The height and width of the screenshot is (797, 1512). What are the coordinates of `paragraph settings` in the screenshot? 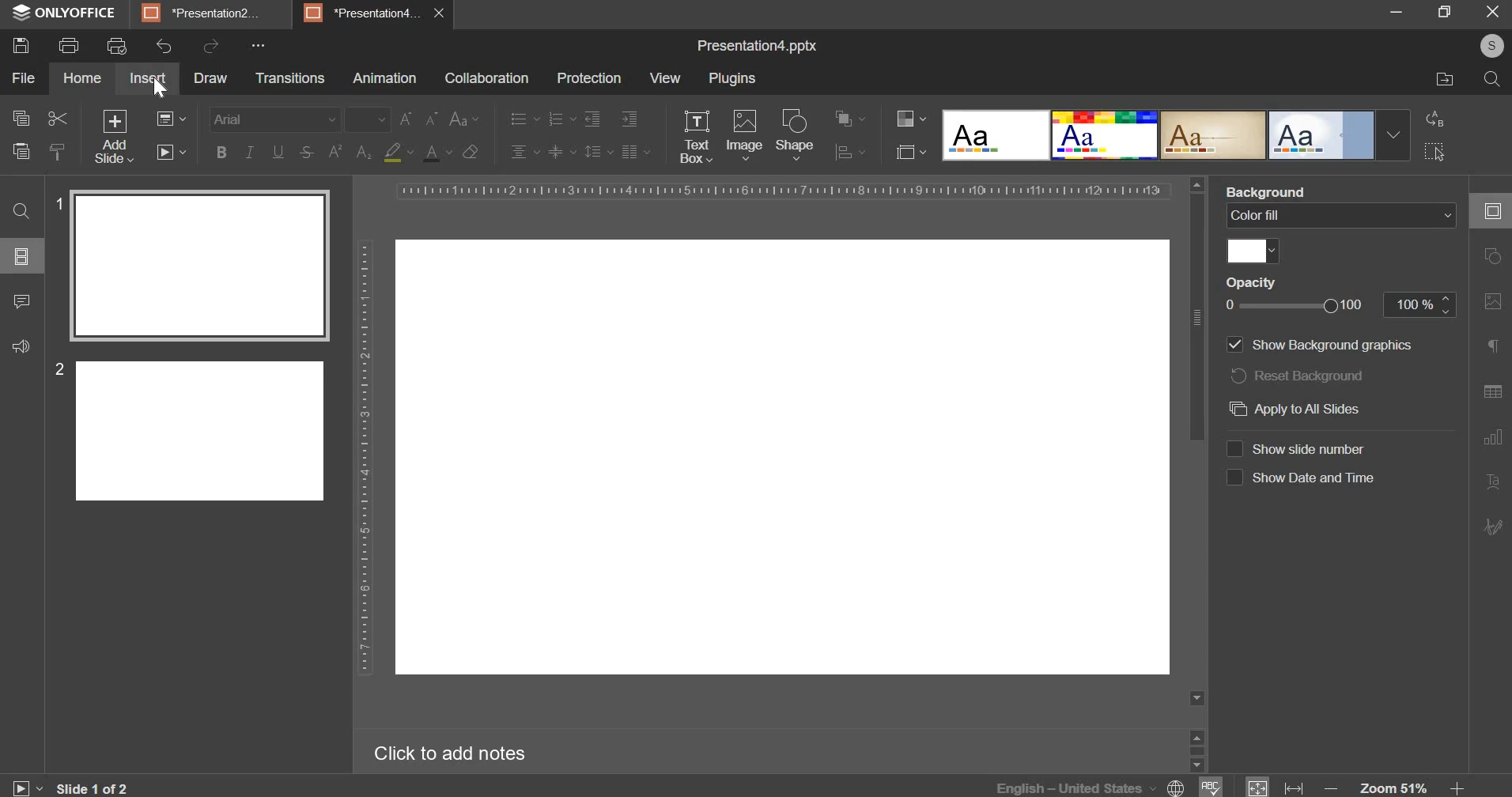 It's located at (636, 152).